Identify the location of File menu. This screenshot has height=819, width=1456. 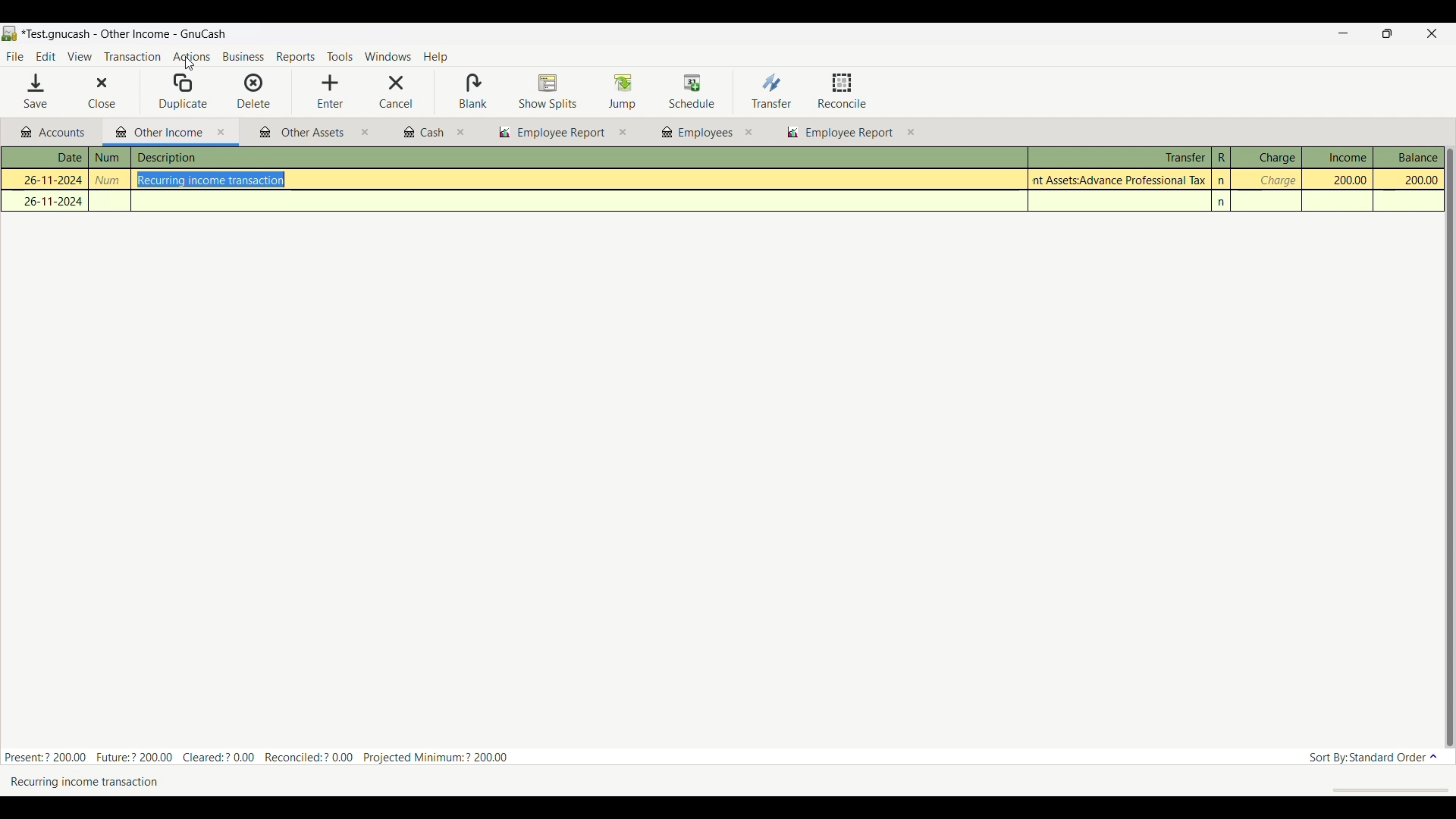
(14, 57).